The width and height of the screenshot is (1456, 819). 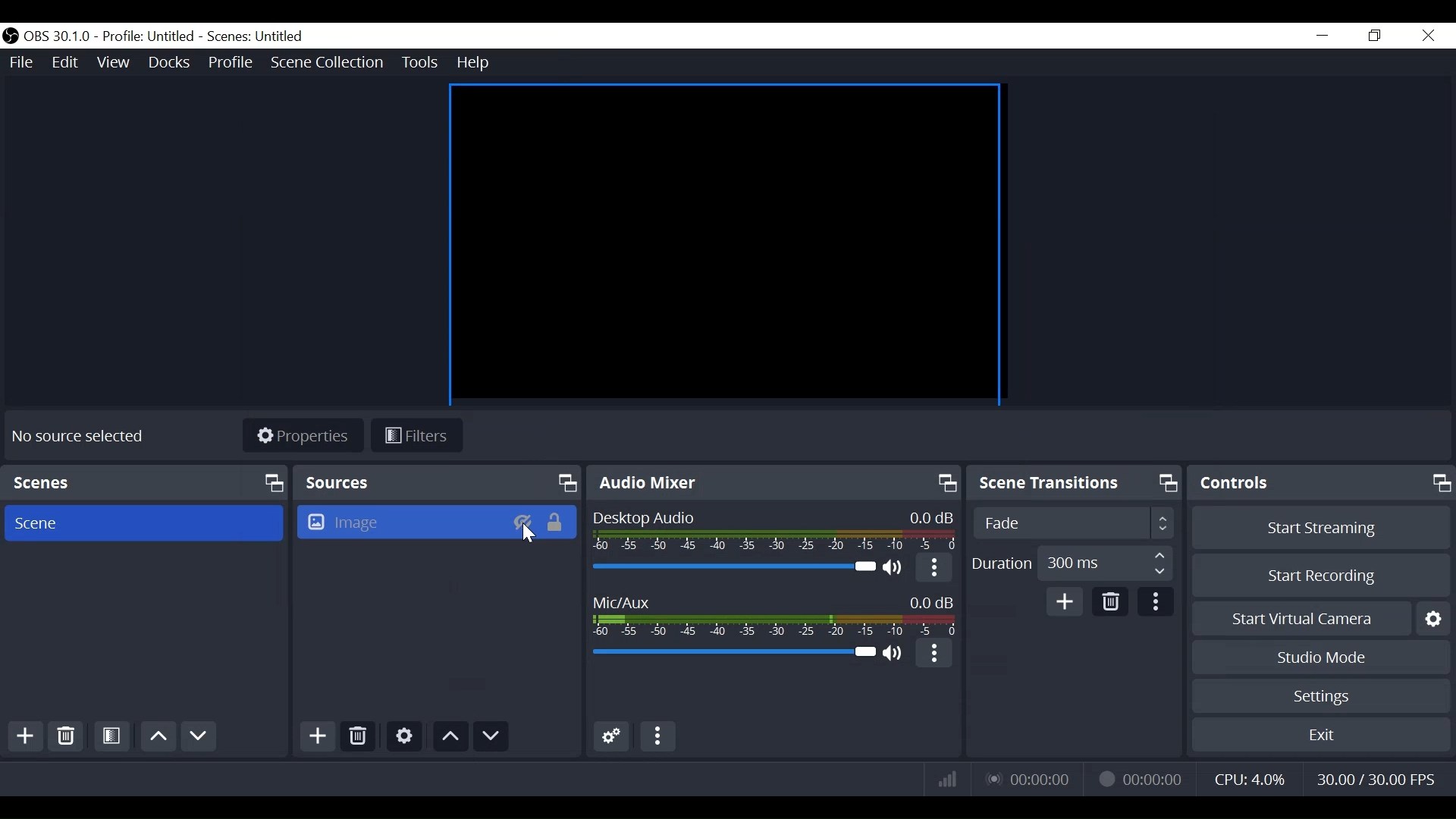 I want to click on Recording Status, so click(x=1137, y=779).